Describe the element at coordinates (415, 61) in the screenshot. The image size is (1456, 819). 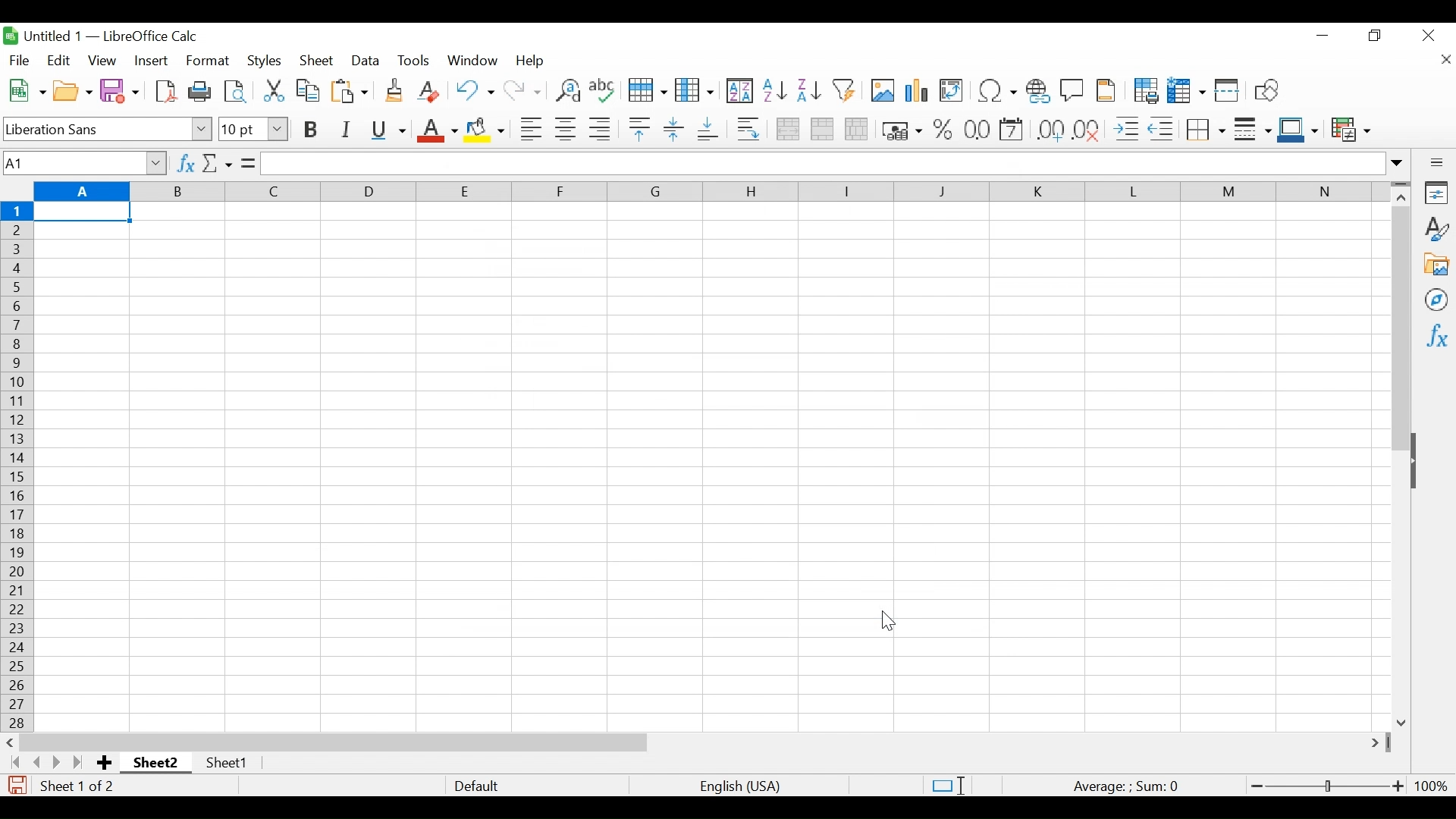
I see `Tools` at that location.